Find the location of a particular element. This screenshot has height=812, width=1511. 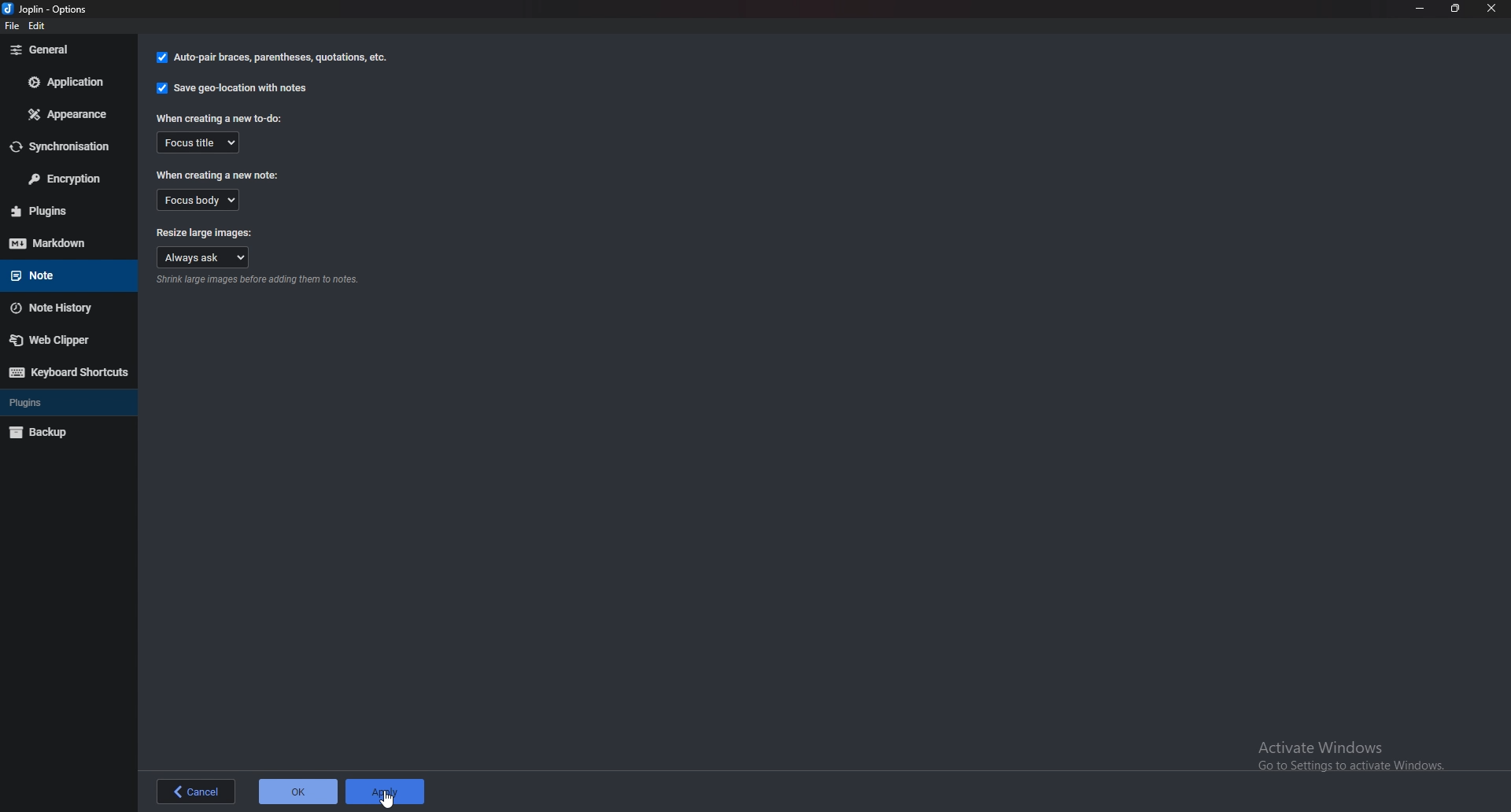

Application is located at coordinates (67, 82).